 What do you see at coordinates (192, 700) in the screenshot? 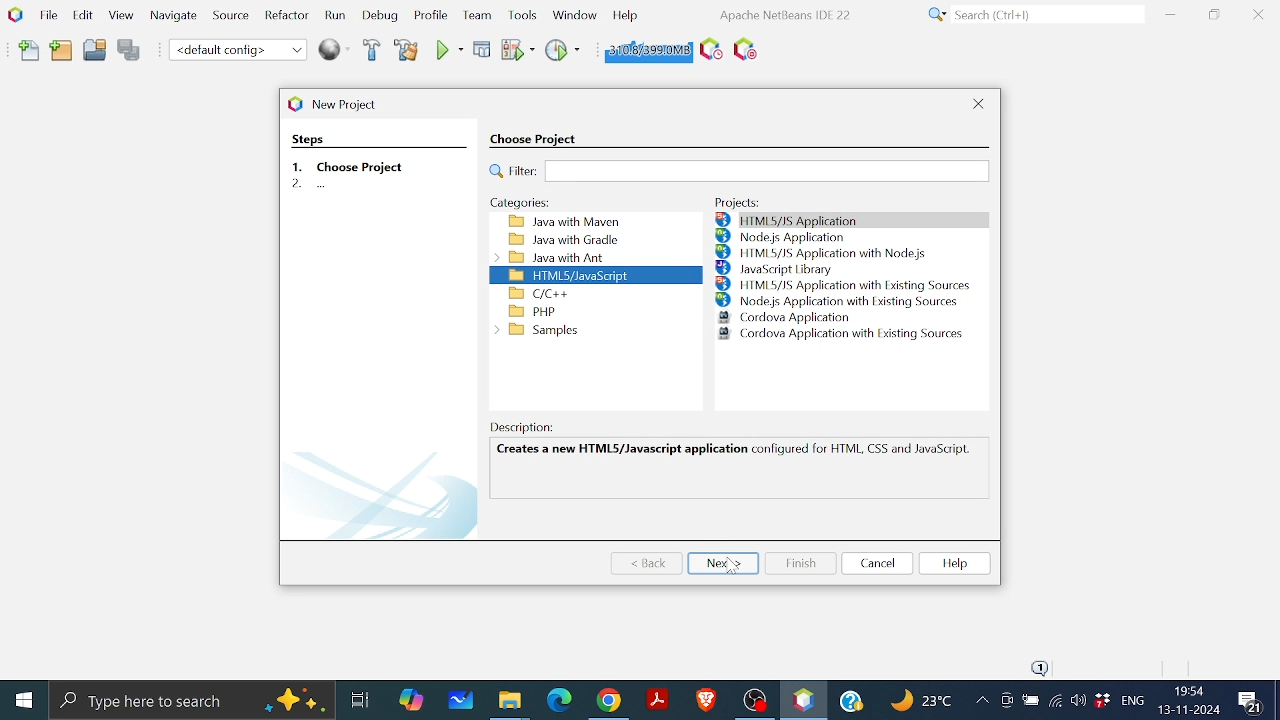
I see `Type here to search` at bounding box center [192, 700].